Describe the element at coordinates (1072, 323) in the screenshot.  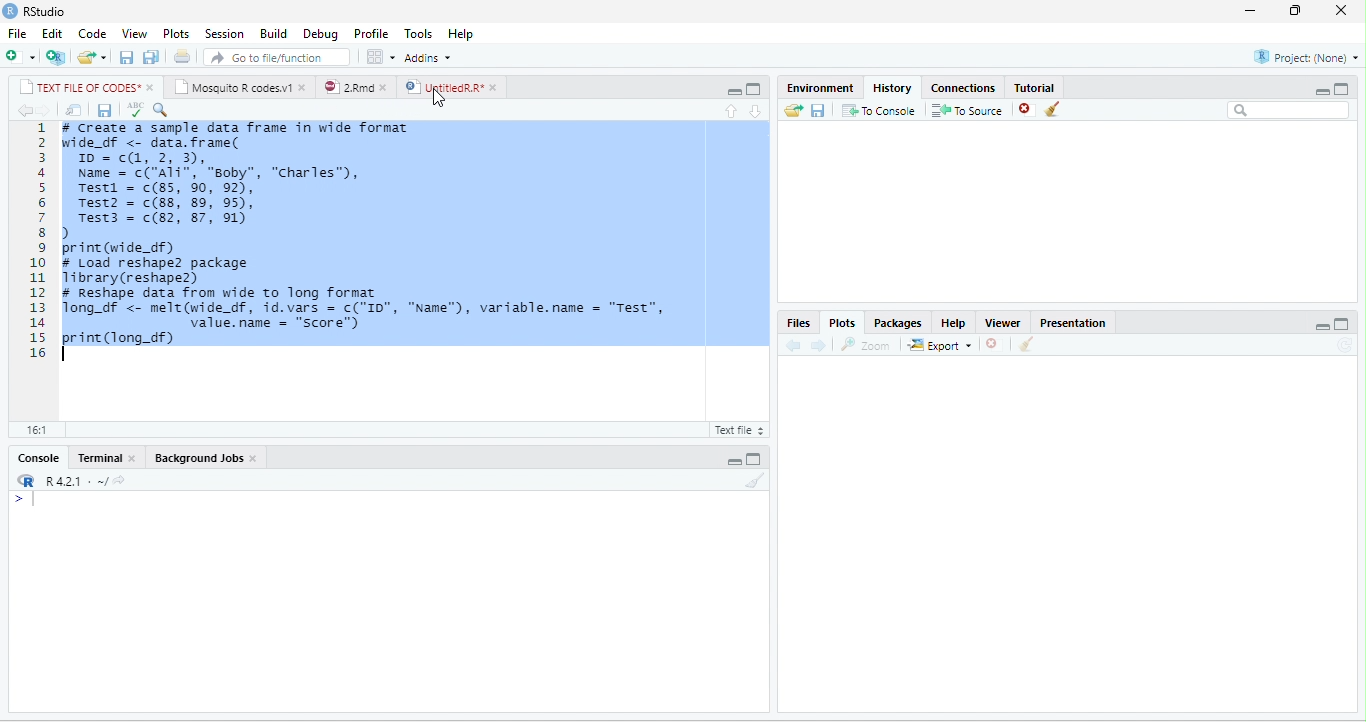
I see `Presentation` at that location.